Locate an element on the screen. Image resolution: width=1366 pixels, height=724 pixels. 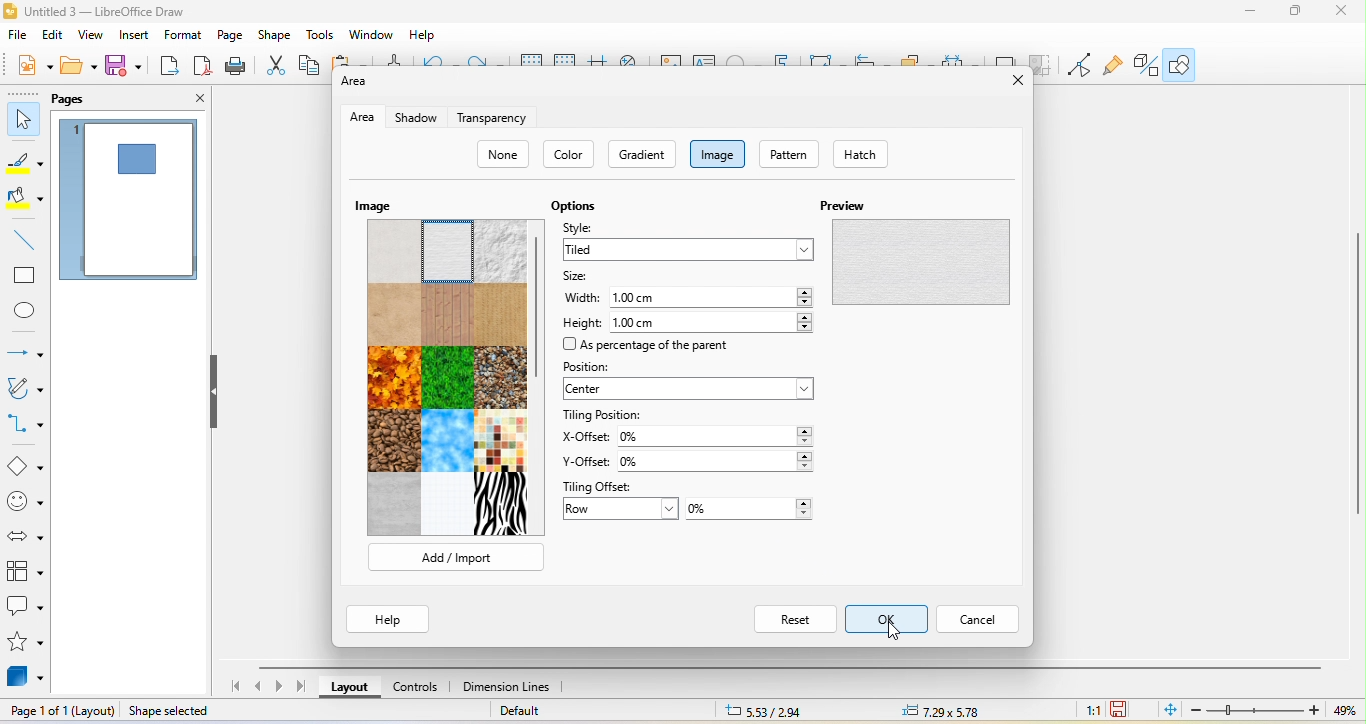
texture 7 is located at coordinates (395, 376).